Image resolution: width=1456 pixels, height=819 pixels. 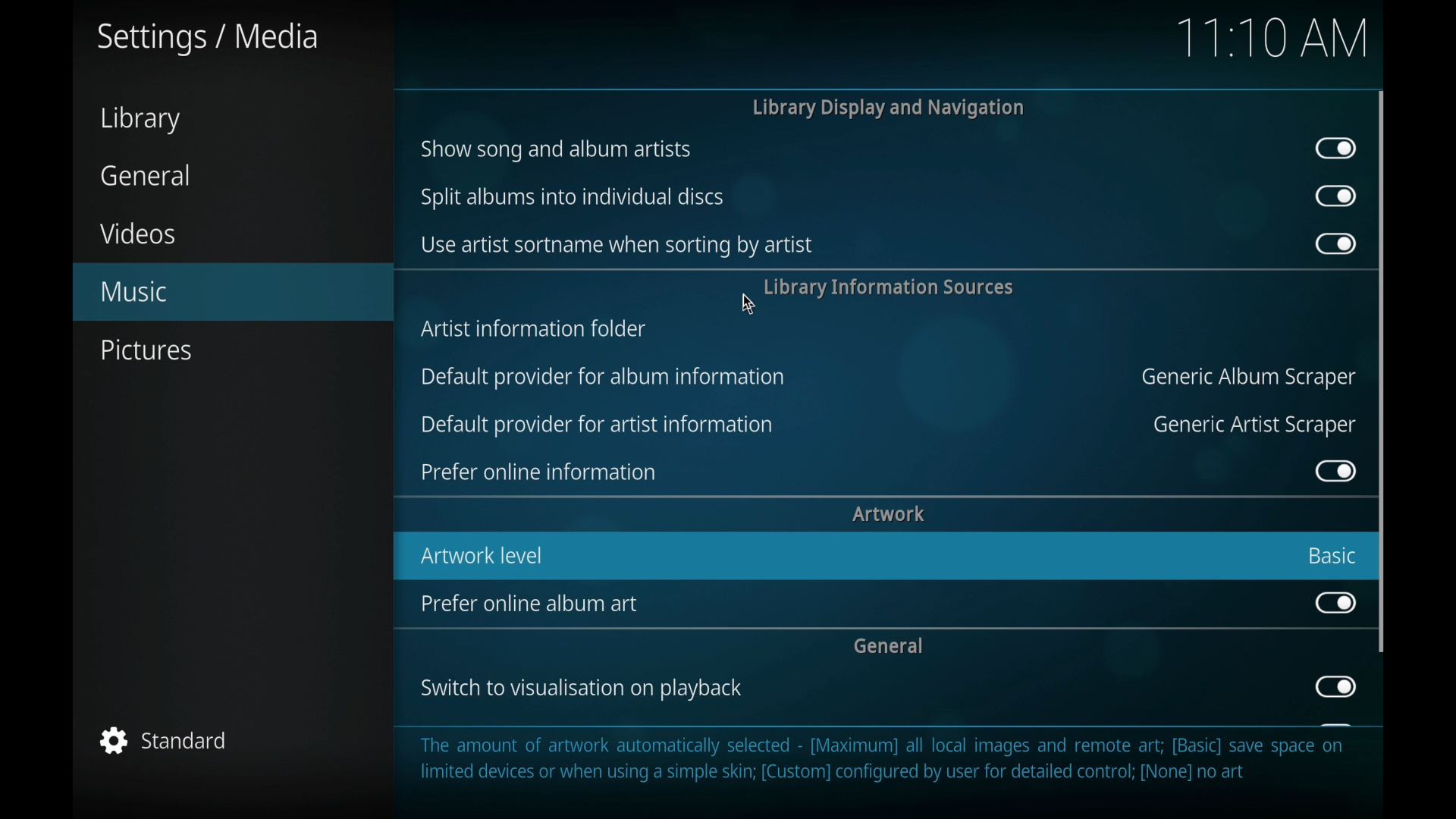 I want to click on The amount of artwork automatically selected - [Maximum] all local images and remote art; [Basic] save space on
limited devices or when using a simple skin; [Custom] configured by user for detailed control; [None] no art, so click(x=882, y=767).